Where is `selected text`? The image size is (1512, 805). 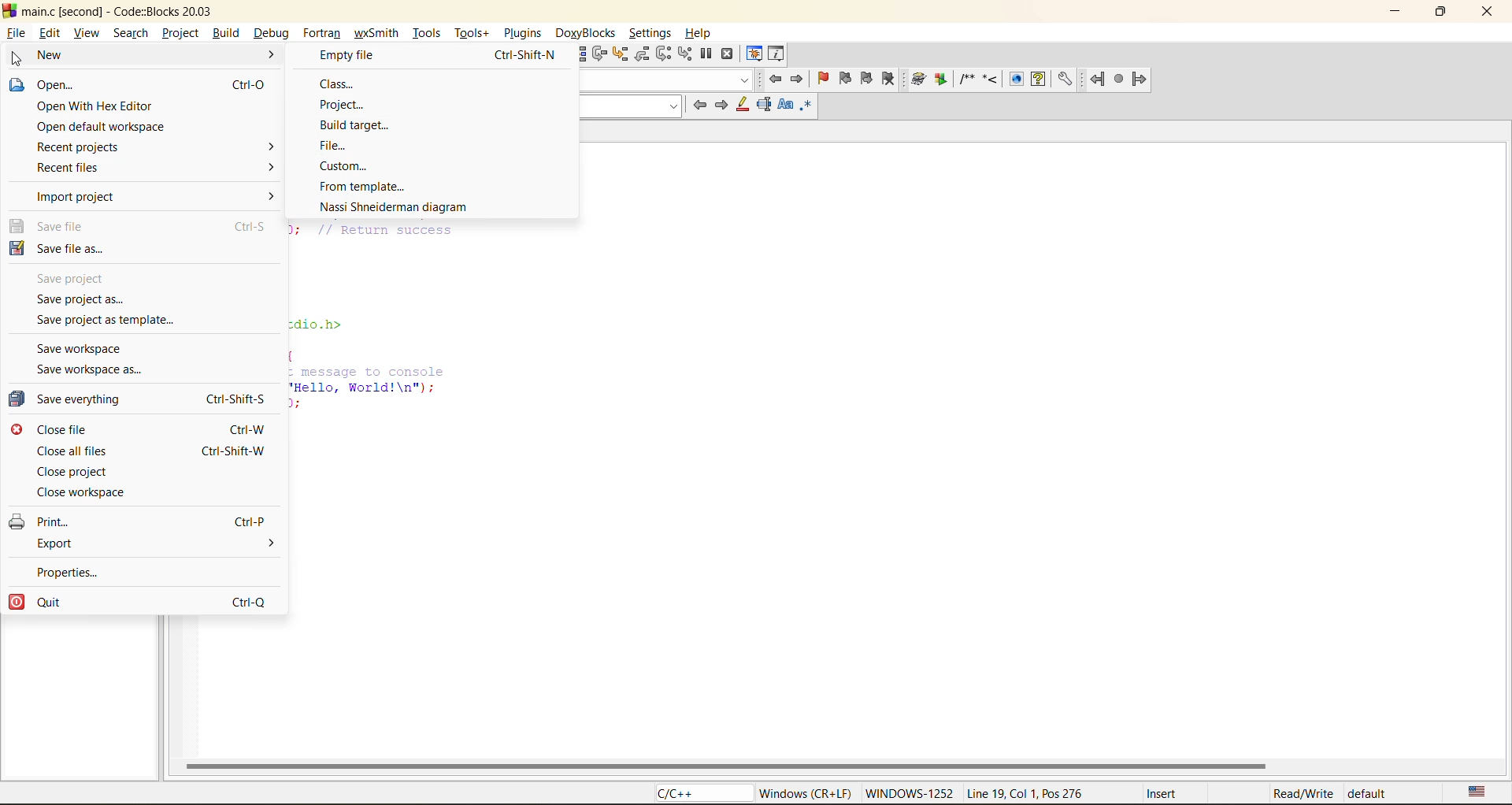 selected text is located at coordinates (765, 106).